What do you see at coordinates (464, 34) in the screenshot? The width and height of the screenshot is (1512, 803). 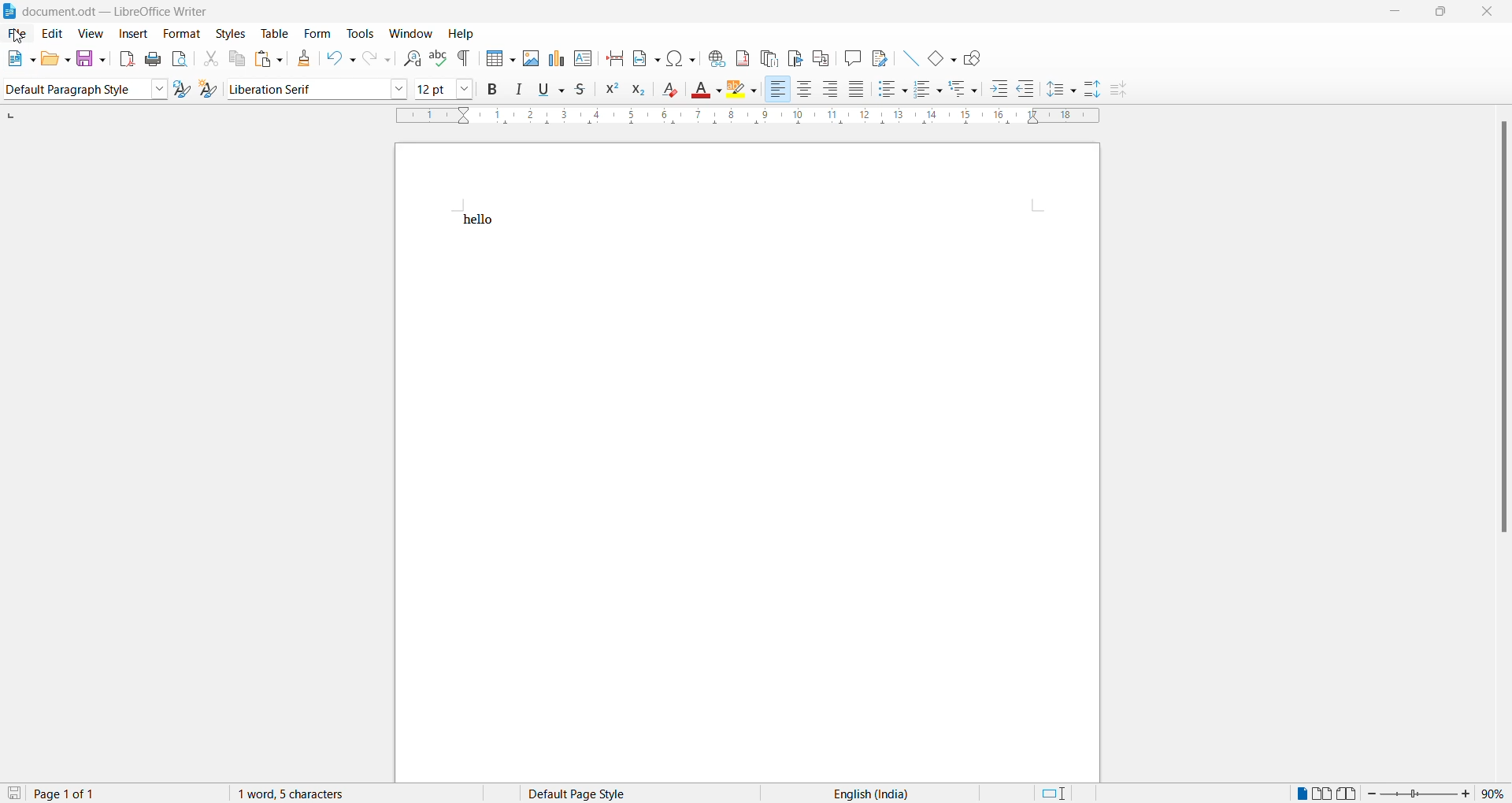 I see `Help` at bounding box center [464, 34].